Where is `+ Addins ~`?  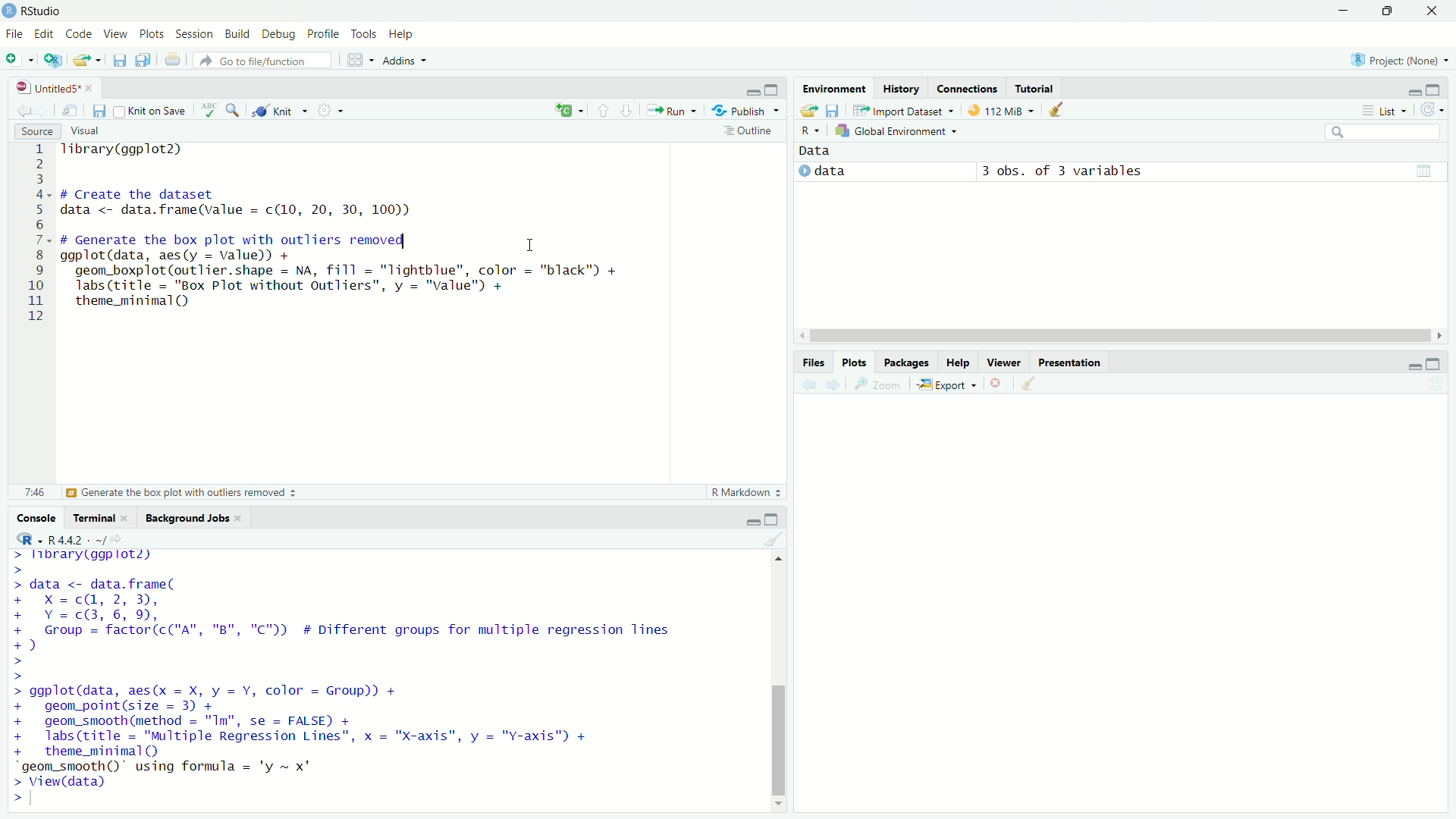 + Addins ~ is located at coordinates (400, 59).